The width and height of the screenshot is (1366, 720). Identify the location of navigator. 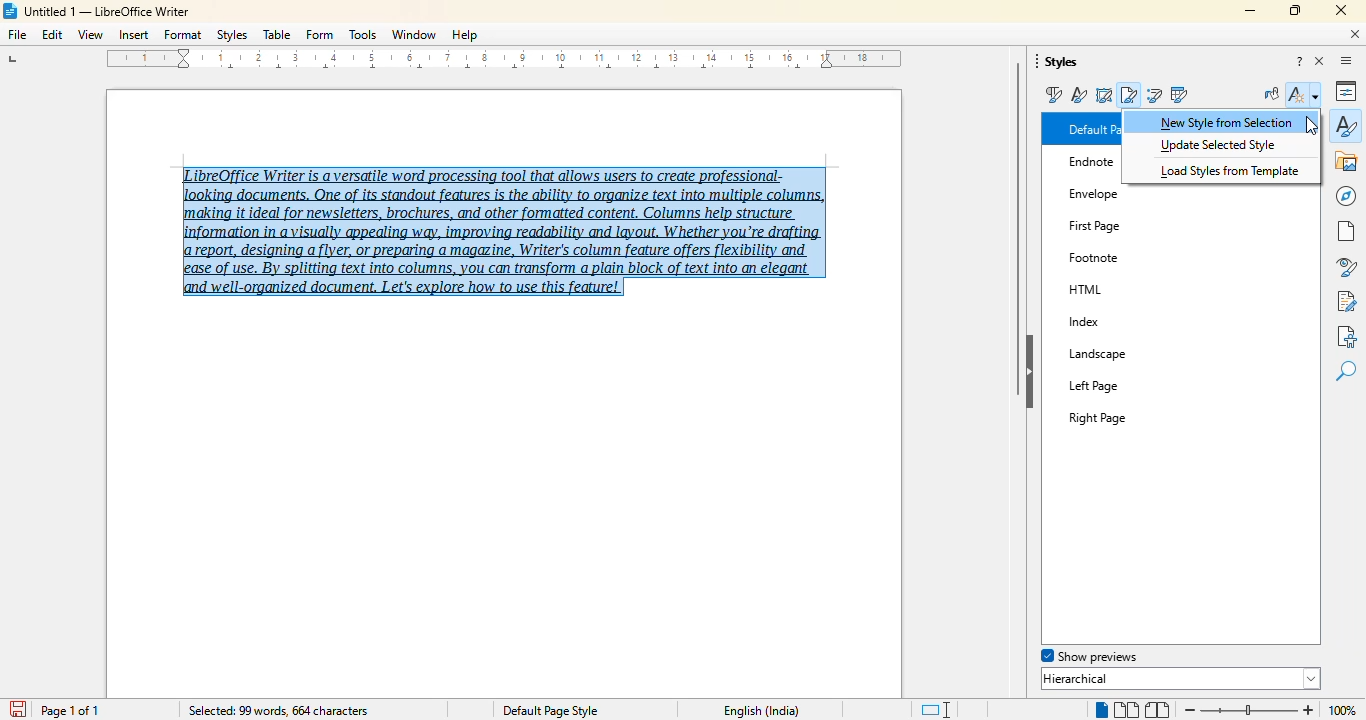
(1343, 199).